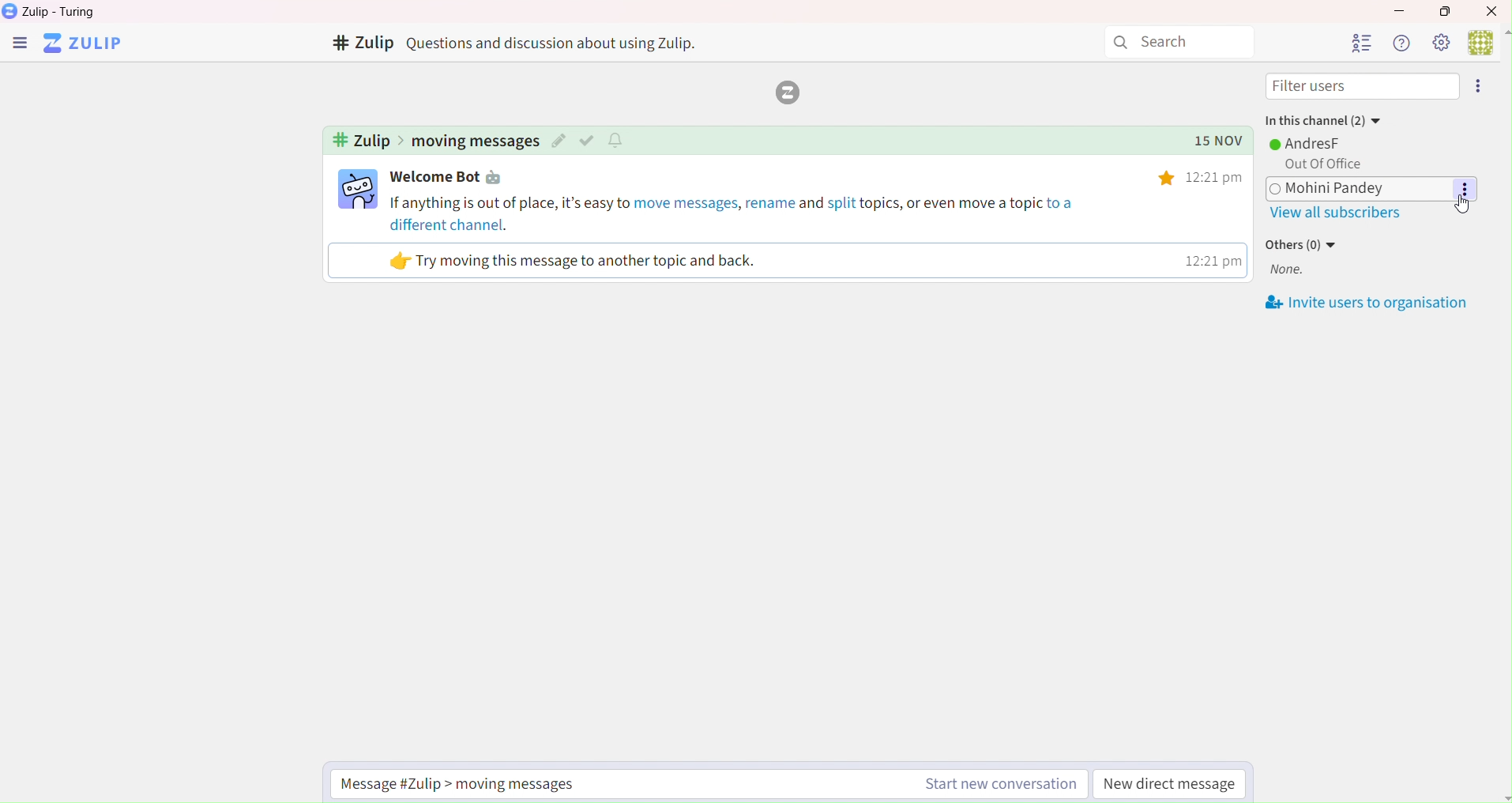  I want to click on moving messages, so click(475, 141).